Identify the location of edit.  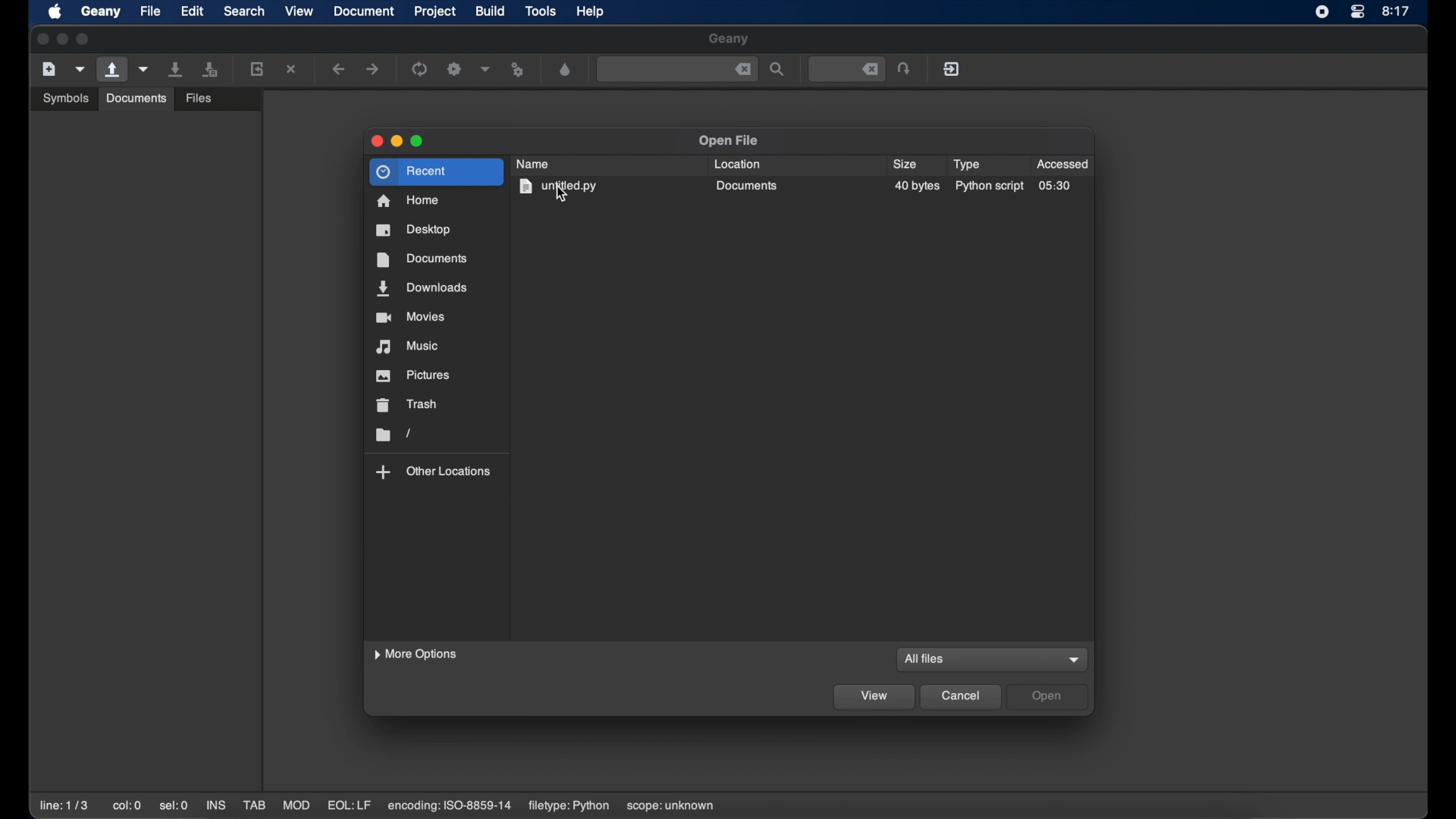
(191, 11).